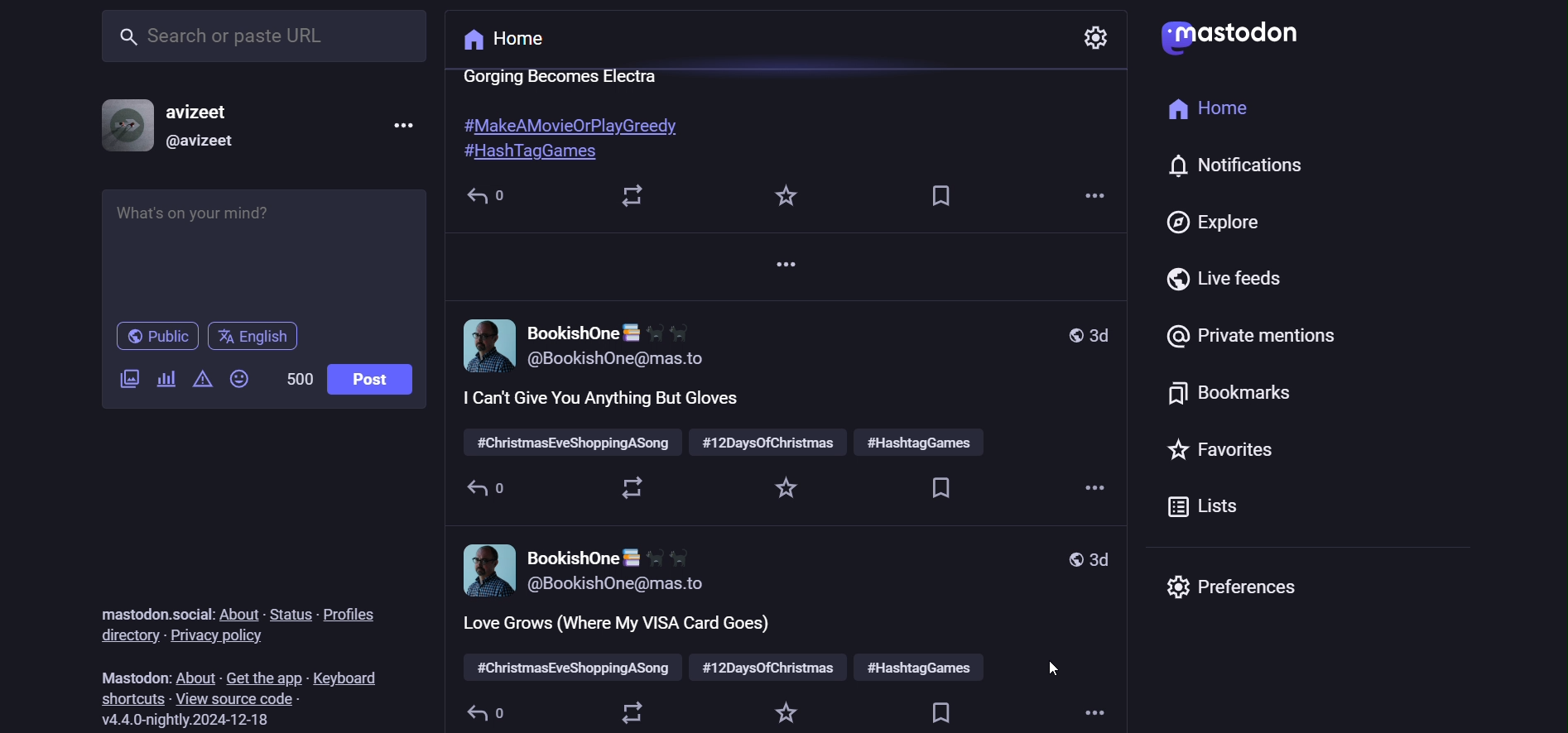 This screenshot has width=1568, height=733. Describe the element at coordinates (156, 336) in the screenshot. I see `public` at that location.